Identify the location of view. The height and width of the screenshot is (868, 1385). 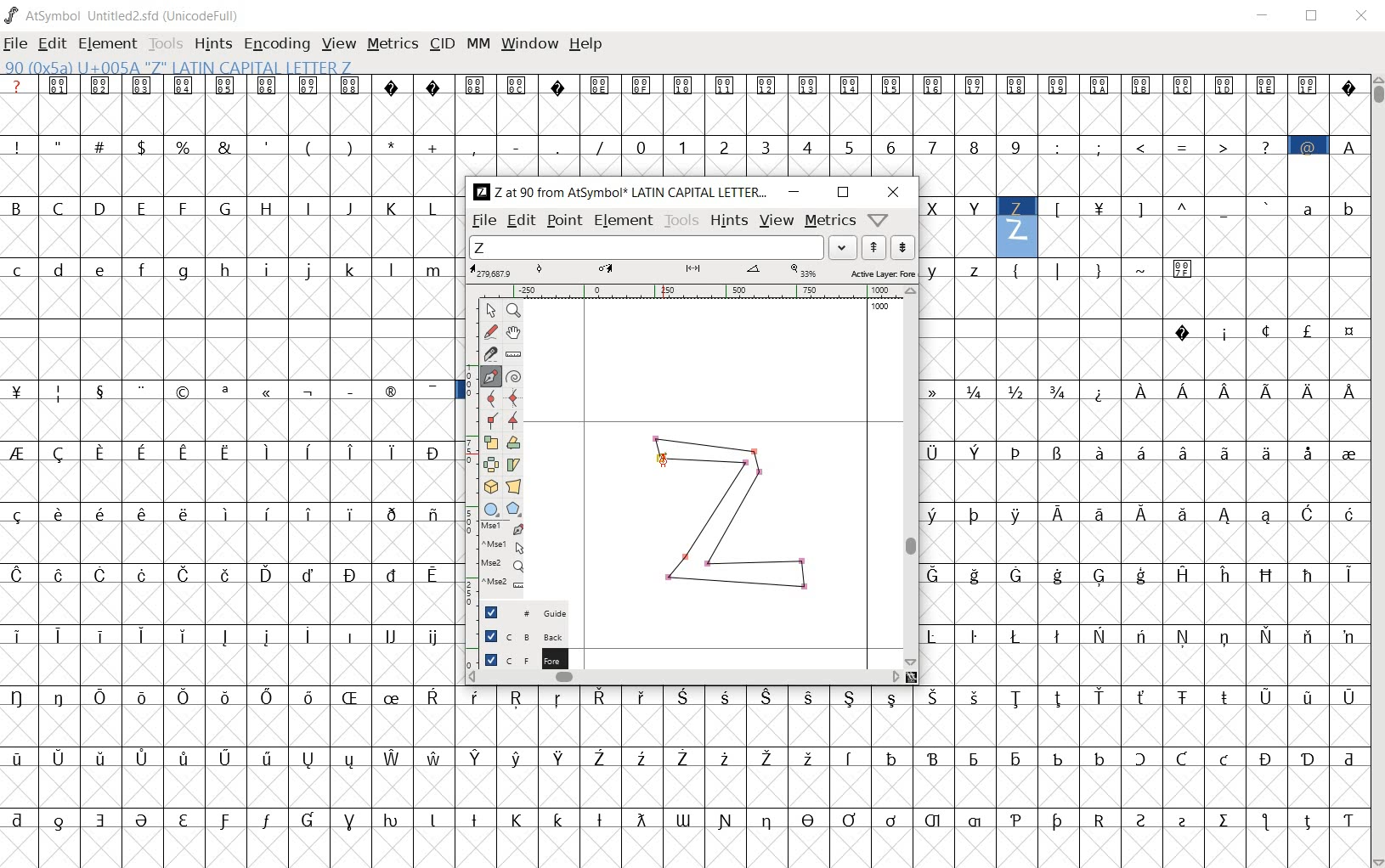
(776, 222).